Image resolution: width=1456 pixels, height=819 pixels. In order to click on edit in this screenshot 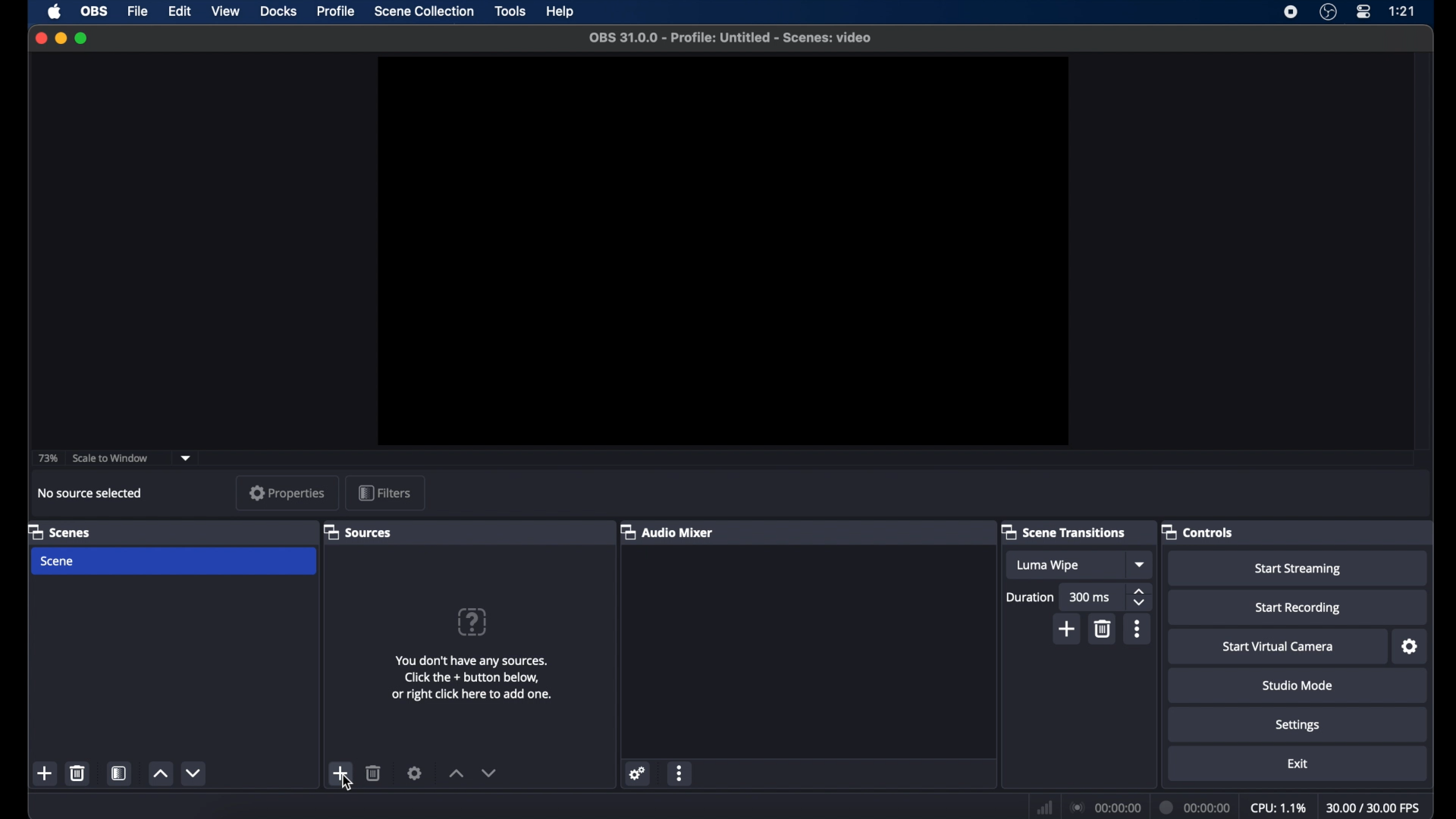, I will do `click(179, 11)`.